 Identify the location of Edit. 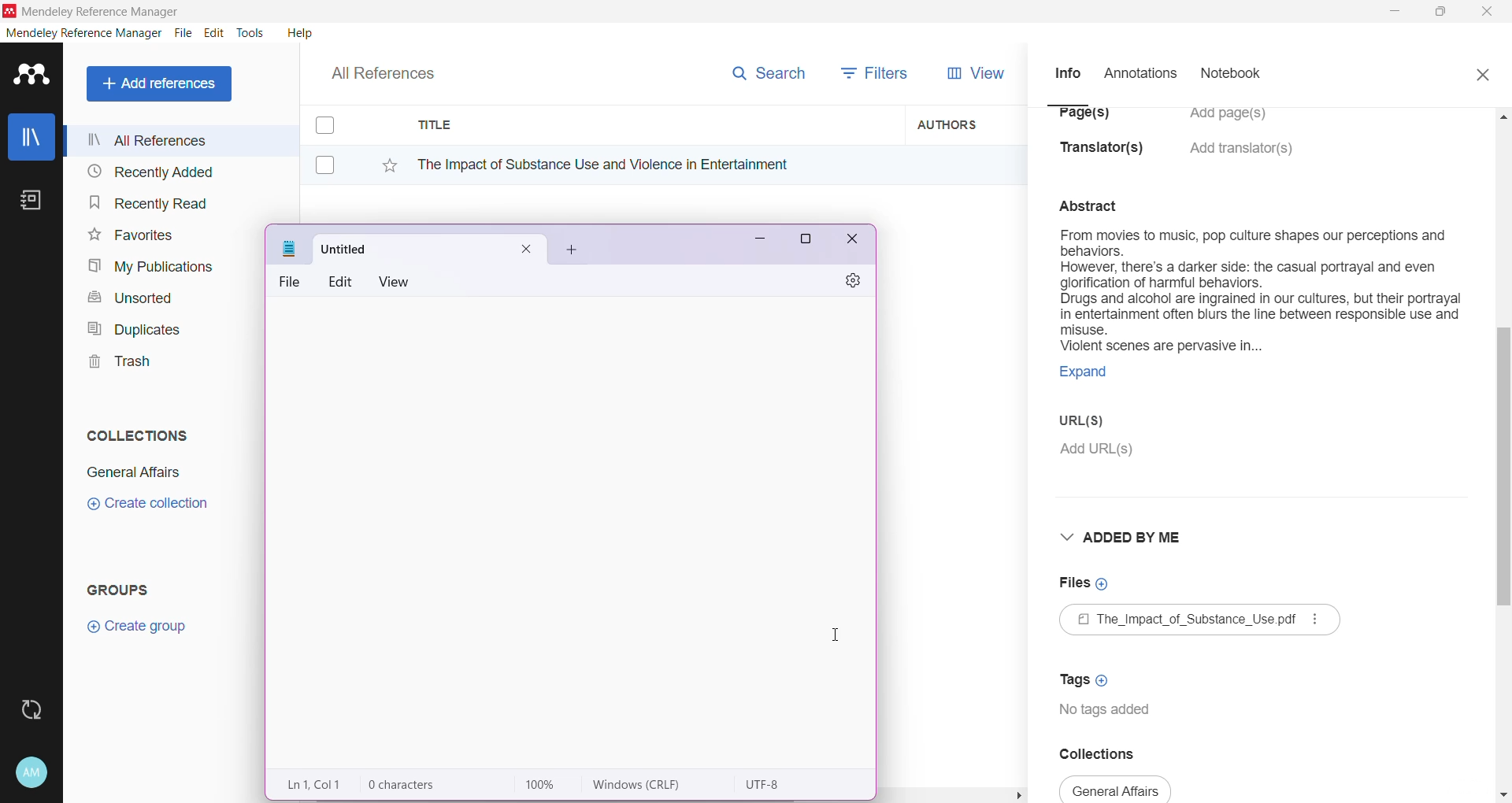
(342, 280).